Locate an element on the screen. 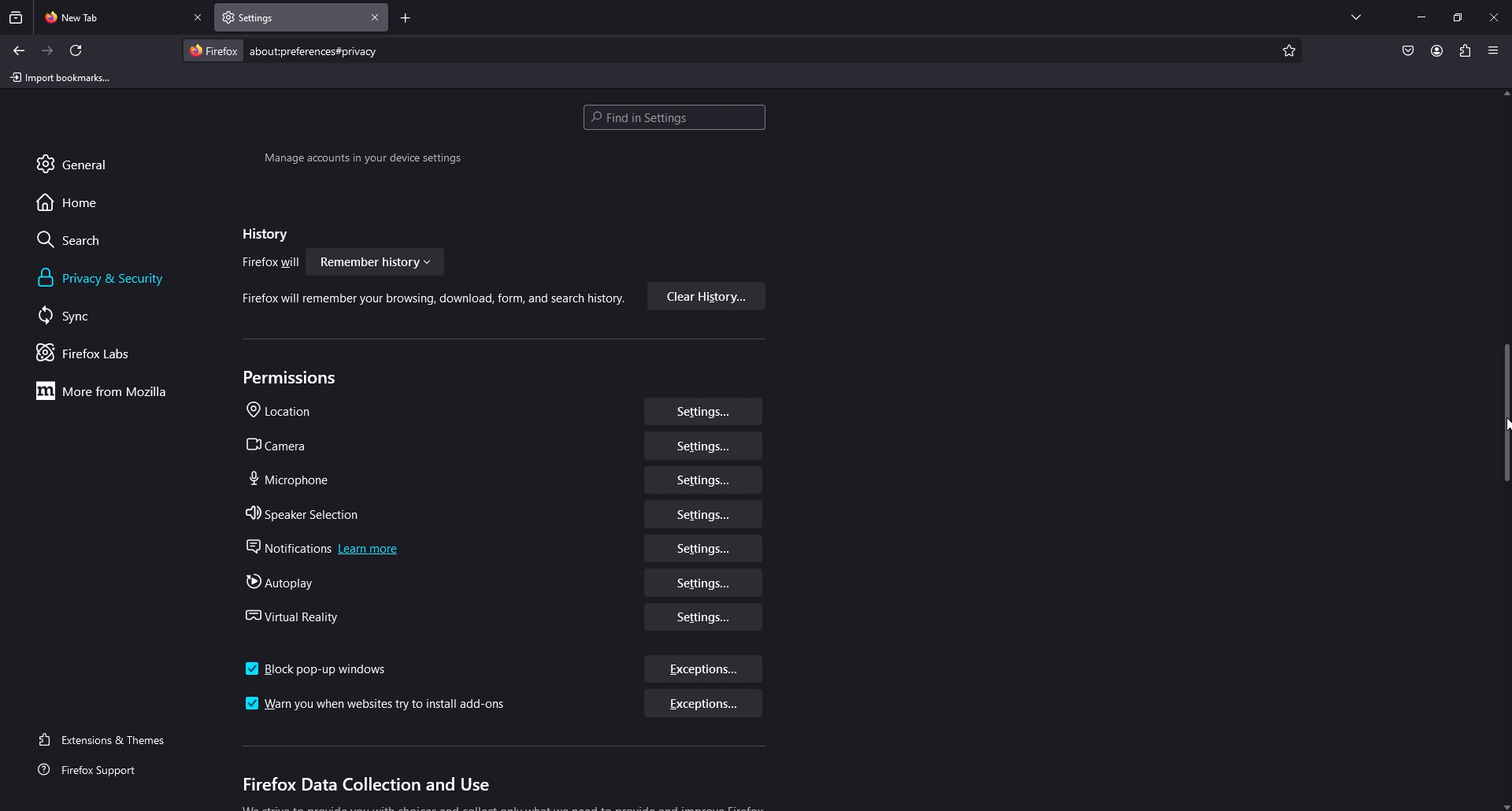 The image size is (1512, 811). autoplay is located at coordinates (286, 583).